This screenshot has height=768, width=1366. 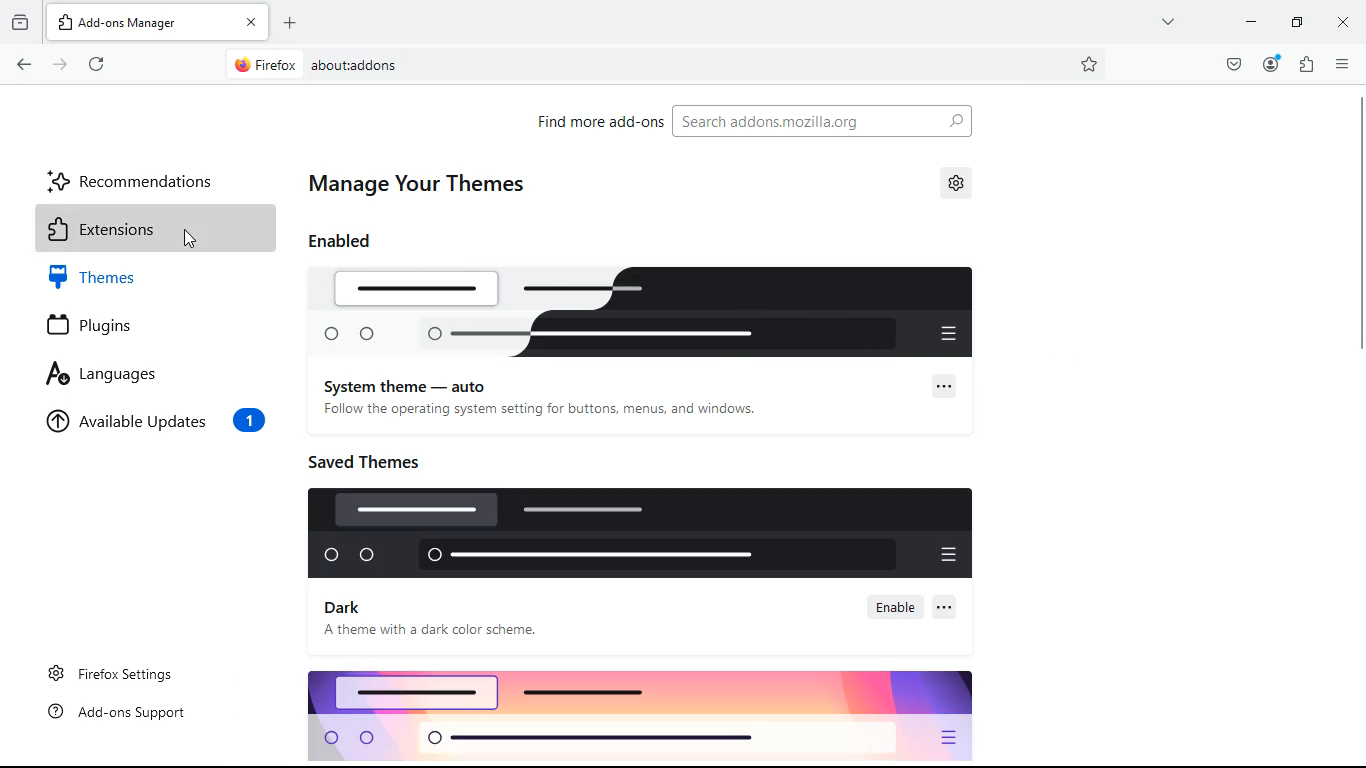 I want to click on minimize, so click(x=1247, y=24).